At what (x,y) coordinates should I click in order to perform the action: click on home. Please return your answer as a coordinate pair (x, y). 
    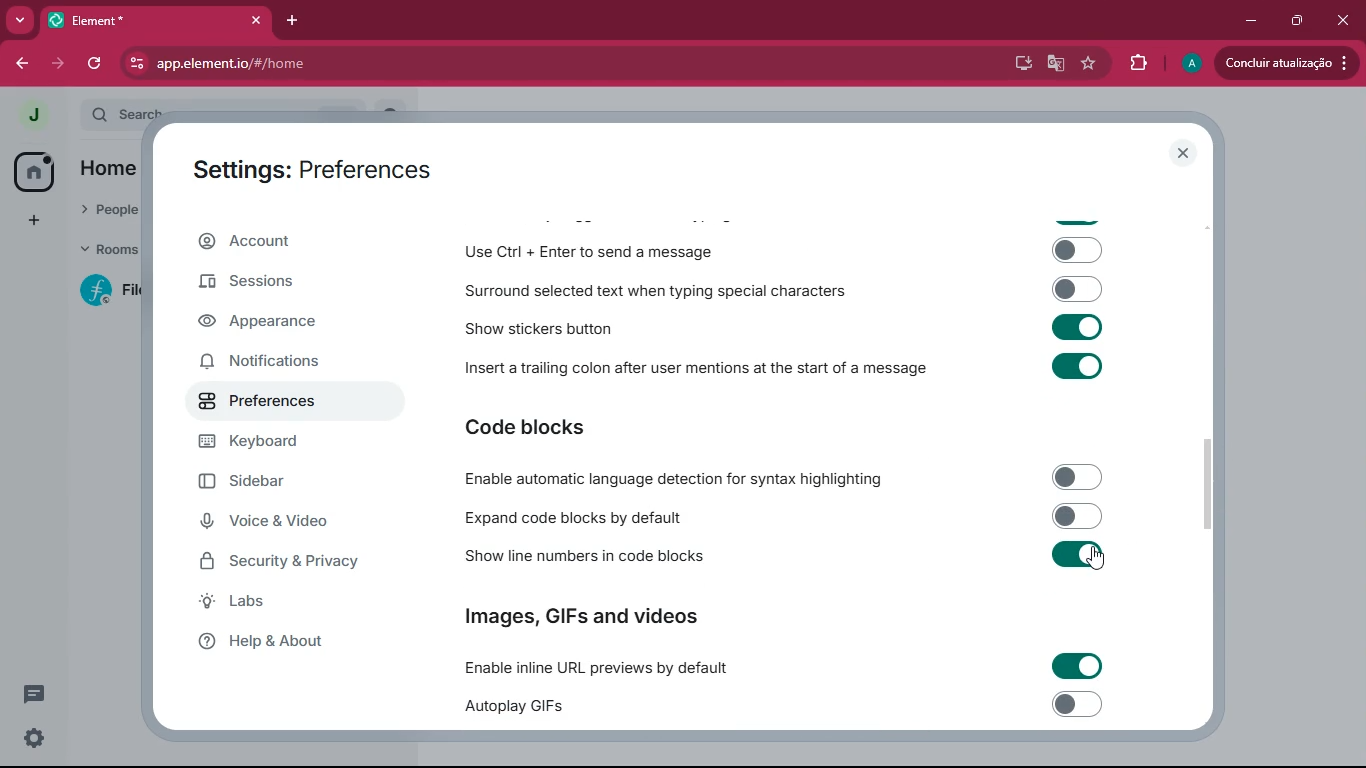
    Looking at the image, I should click on (32, 171).